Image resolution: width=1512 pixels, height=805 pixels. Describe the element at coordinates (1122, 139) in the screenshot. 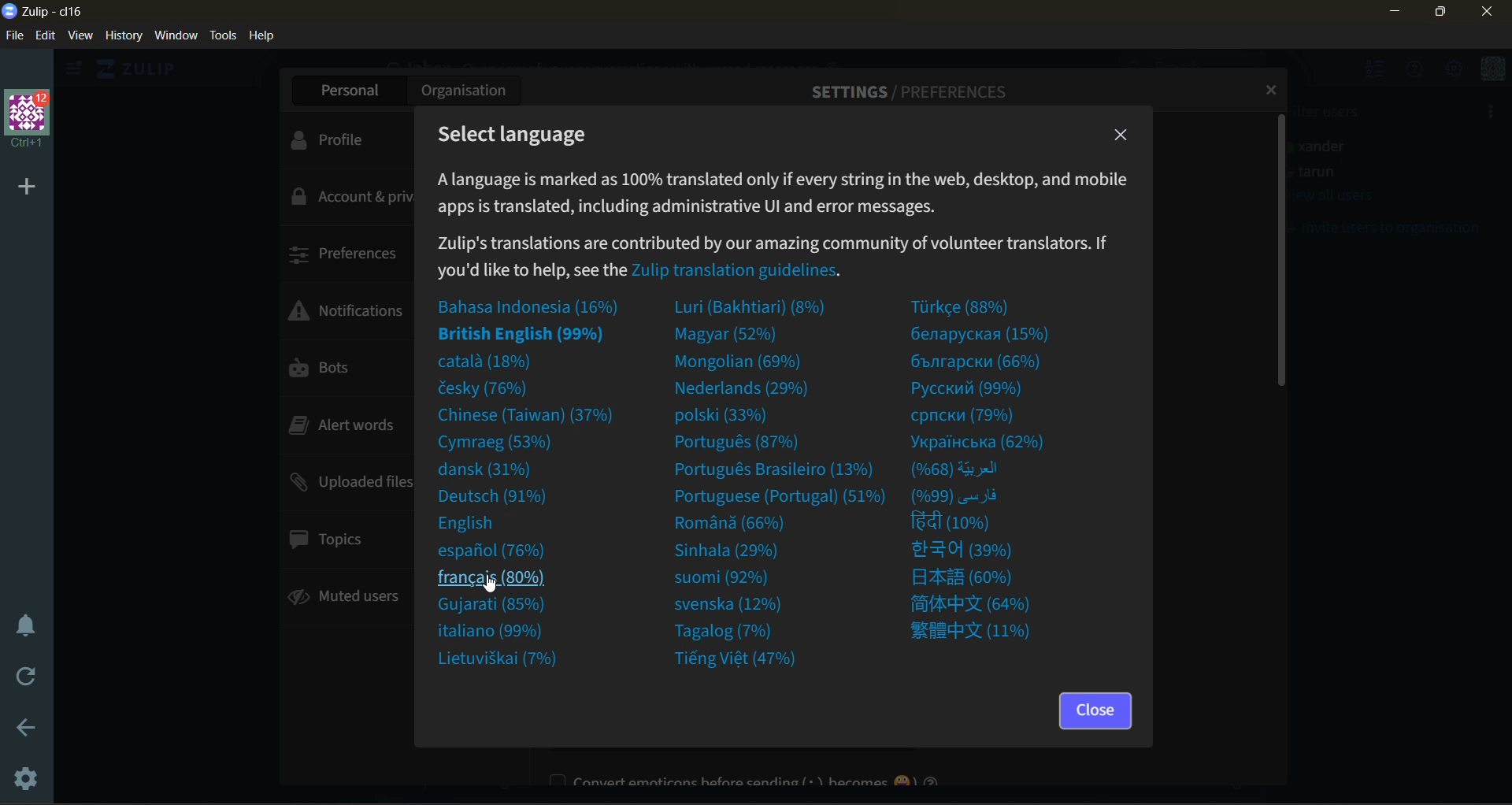

I see `close tab` at that location.